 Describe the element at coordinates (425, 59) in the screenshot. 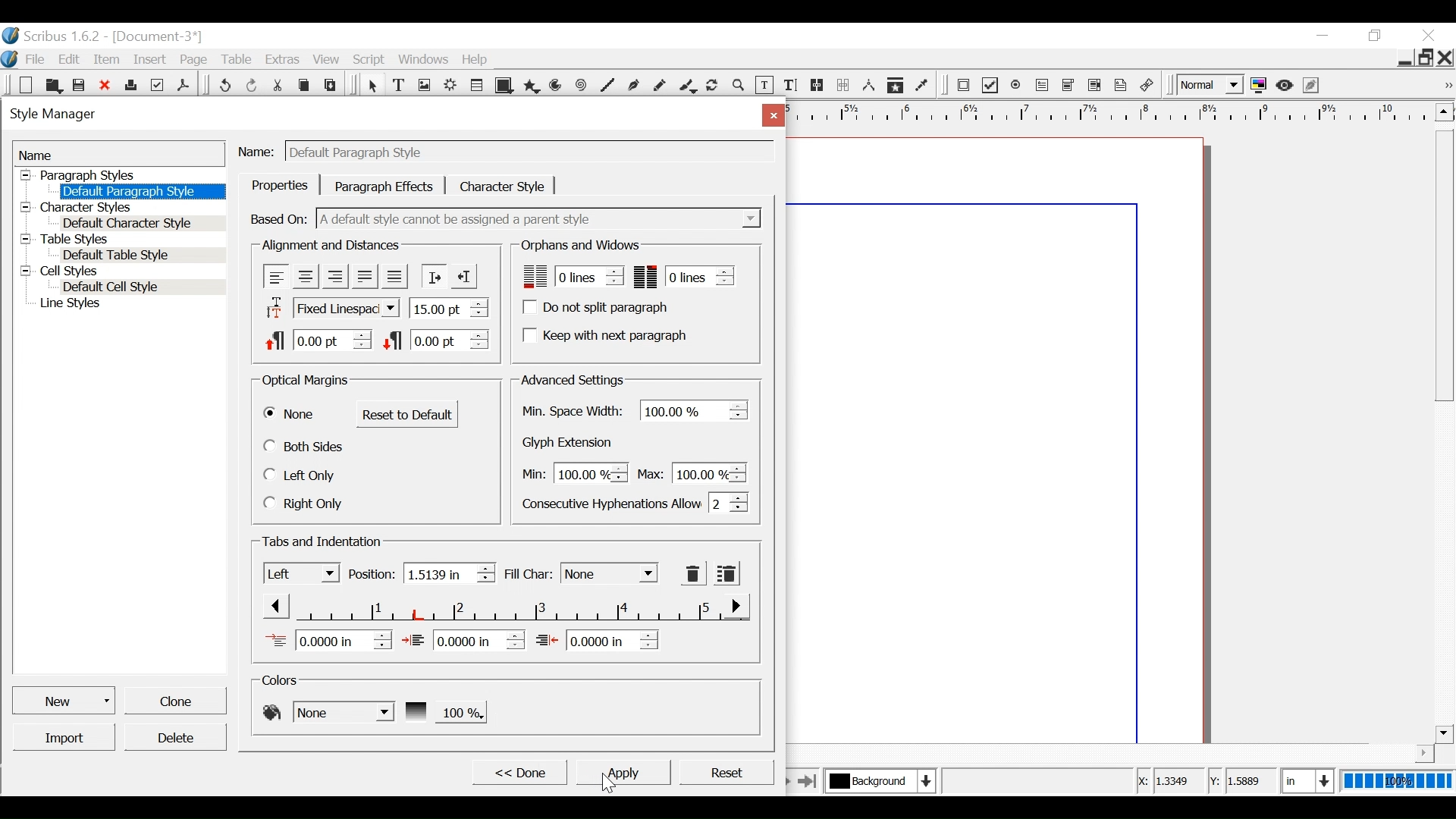

I see `Windows` at that location.